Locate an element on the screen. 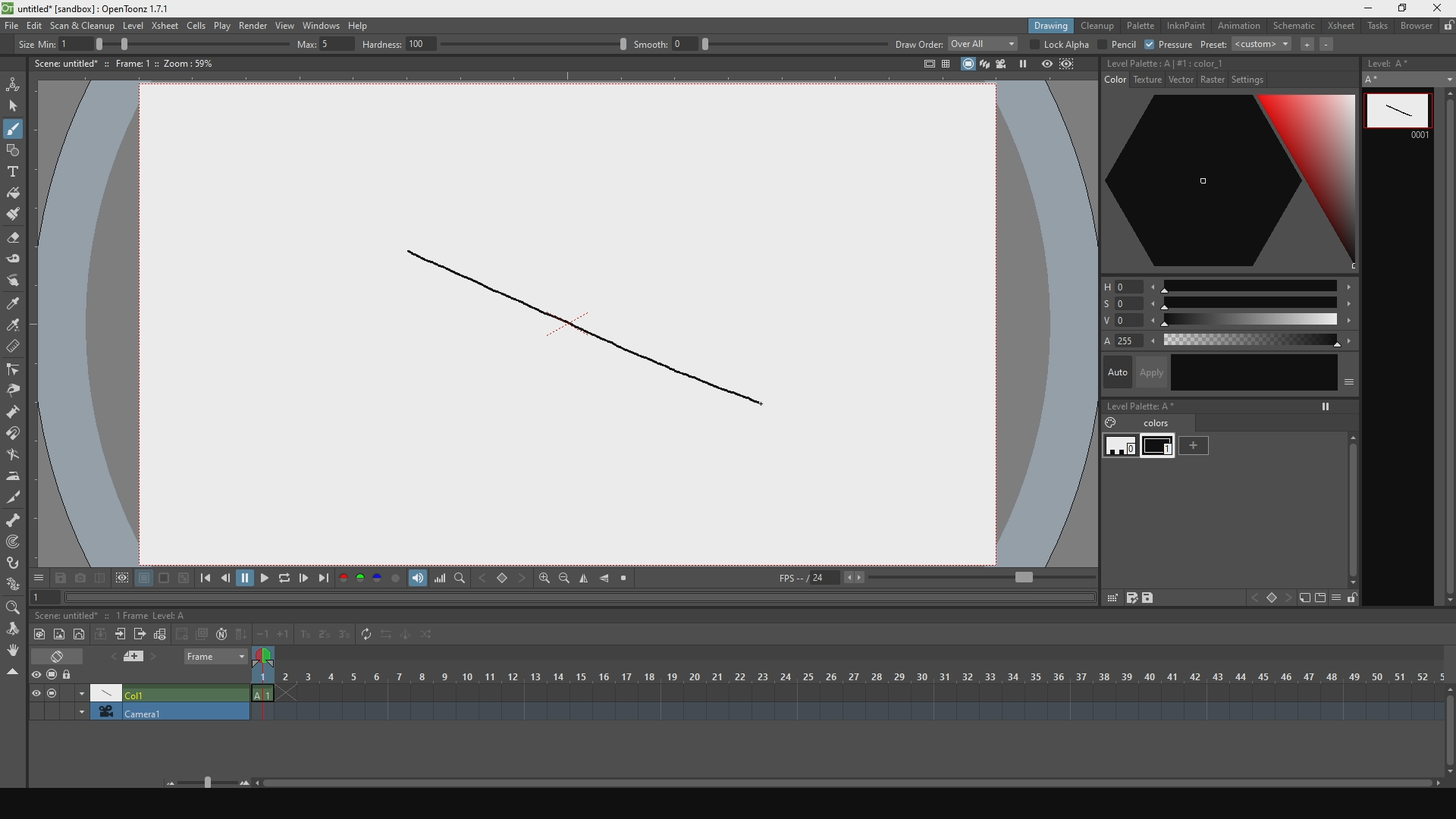 This screenshot has height=819, width=1456. visible is located at coordinates (38, 692).